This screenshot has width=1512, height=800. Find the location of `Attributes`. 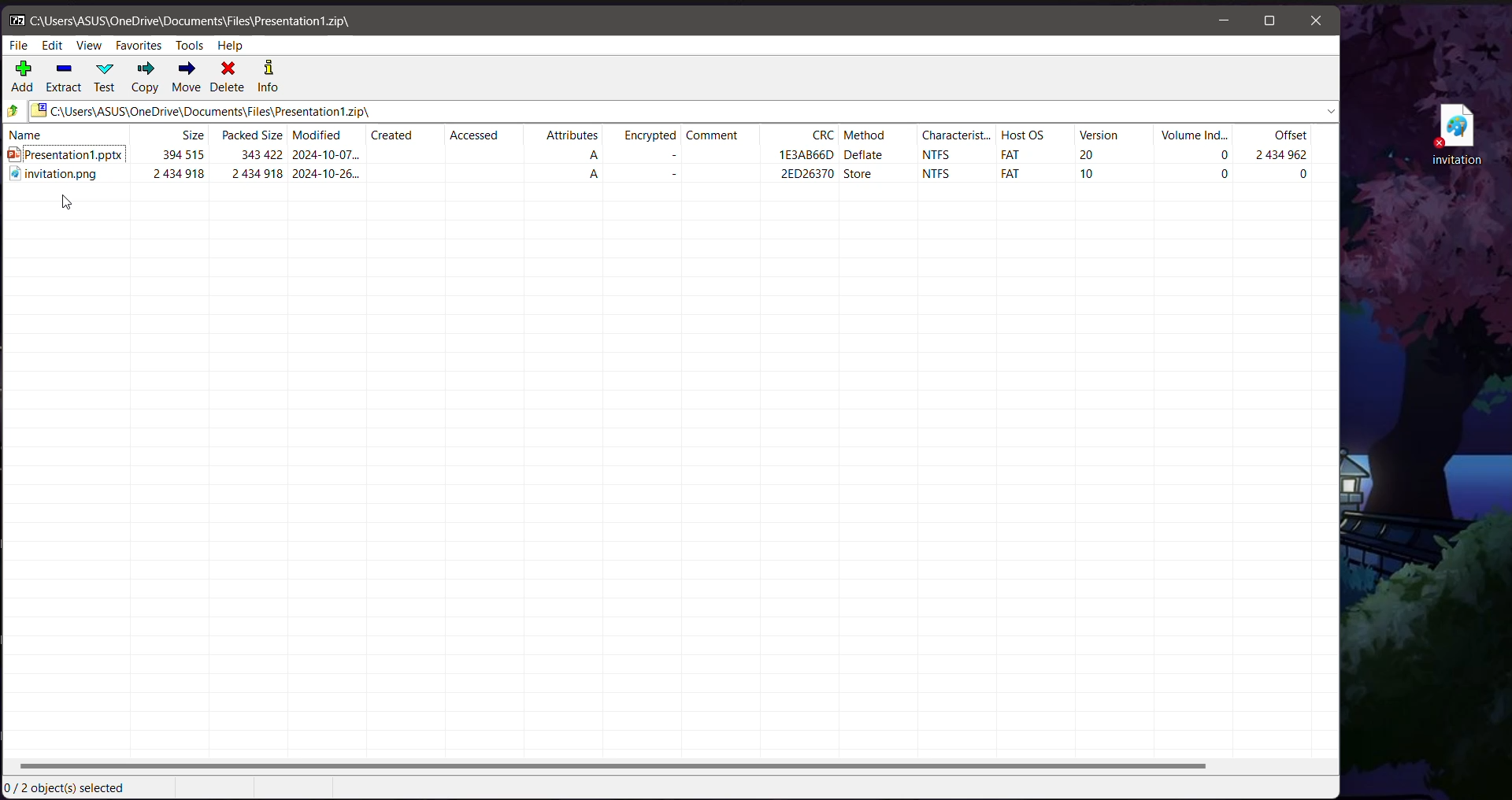

Attributes is located at coordinates (565, 134).